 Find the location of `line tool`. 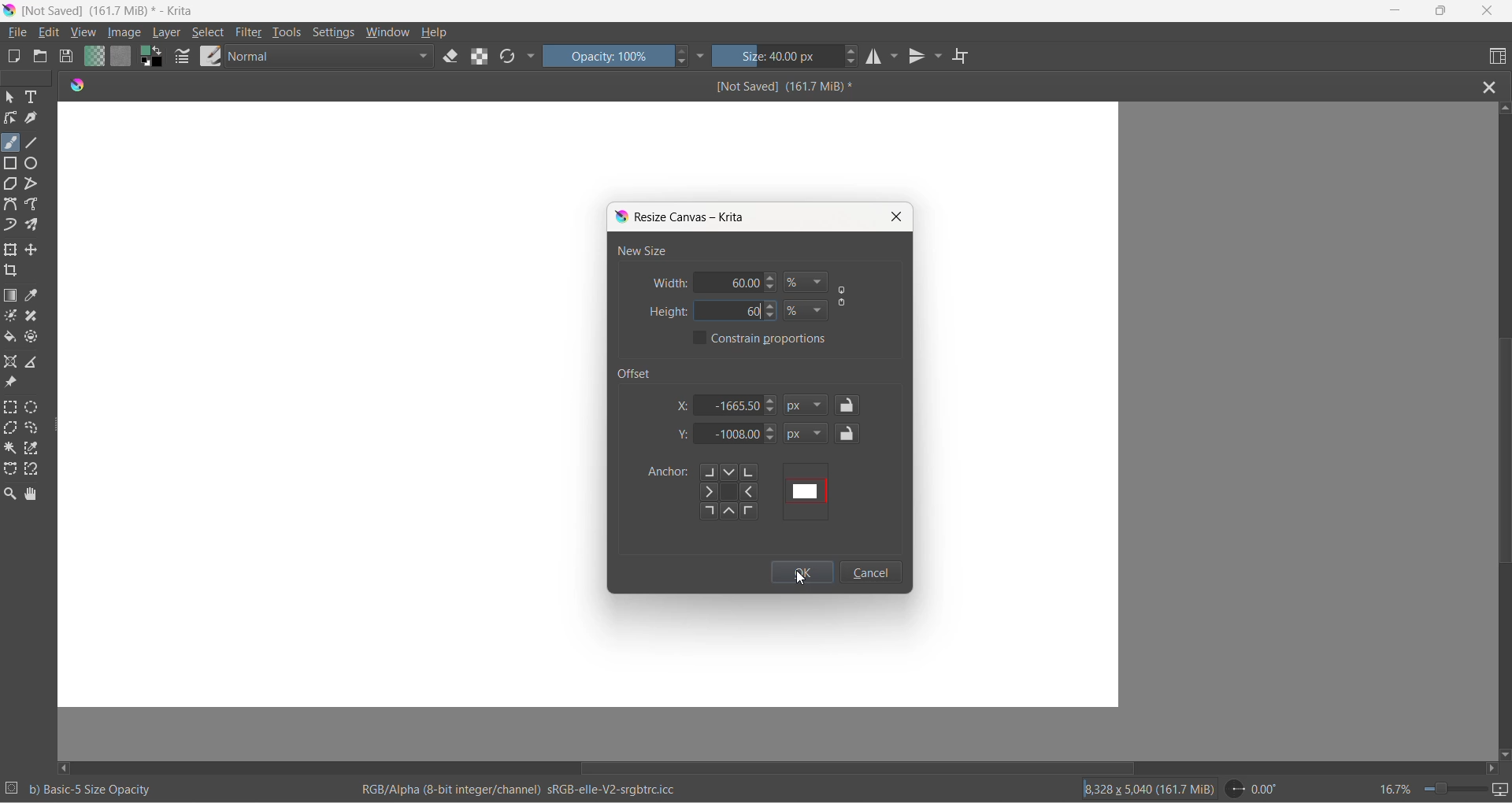

line tool is located at coordinates (35, 140).